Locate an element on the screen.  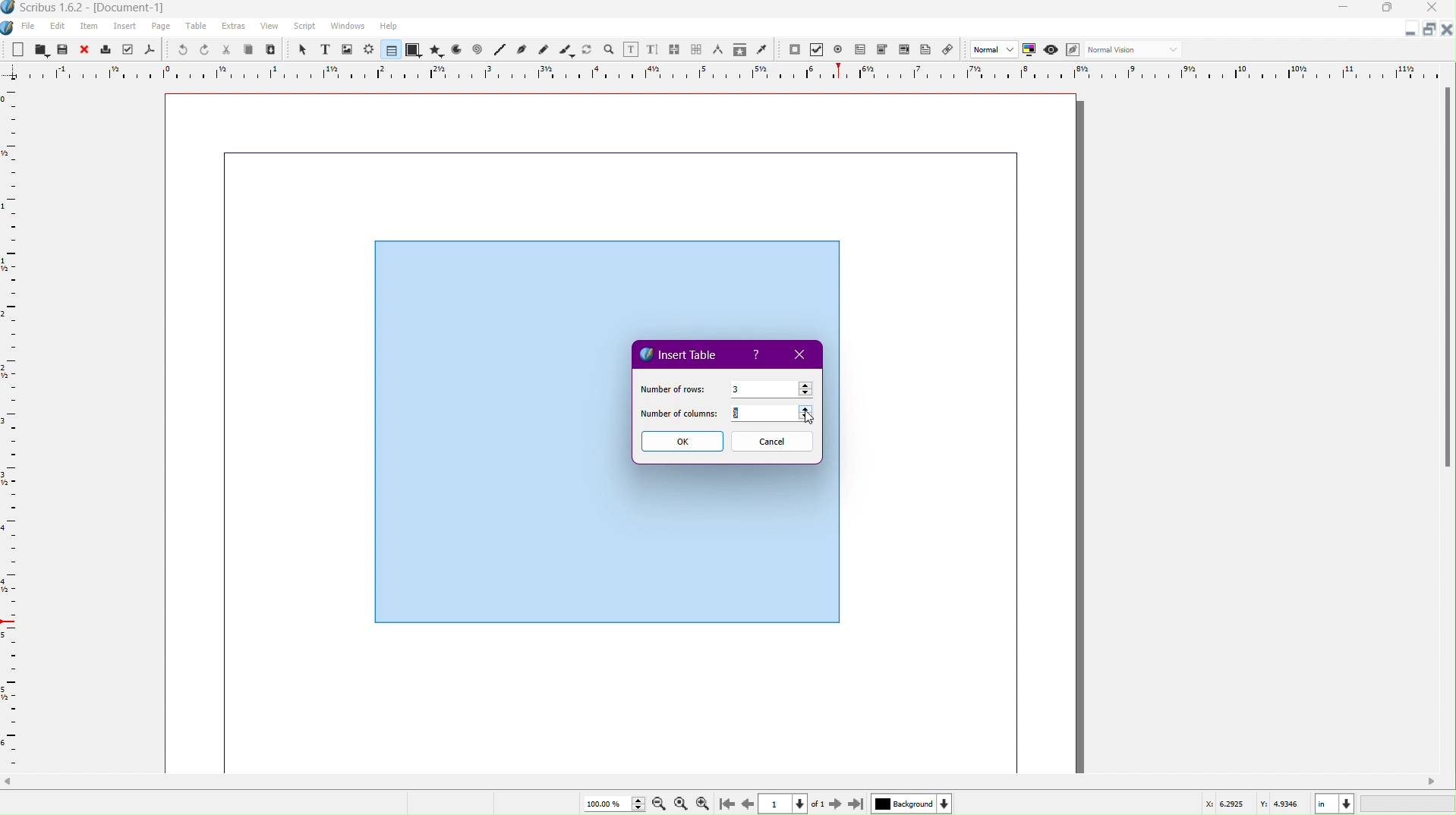
Go to First Page is located at coordinates (730, 803).